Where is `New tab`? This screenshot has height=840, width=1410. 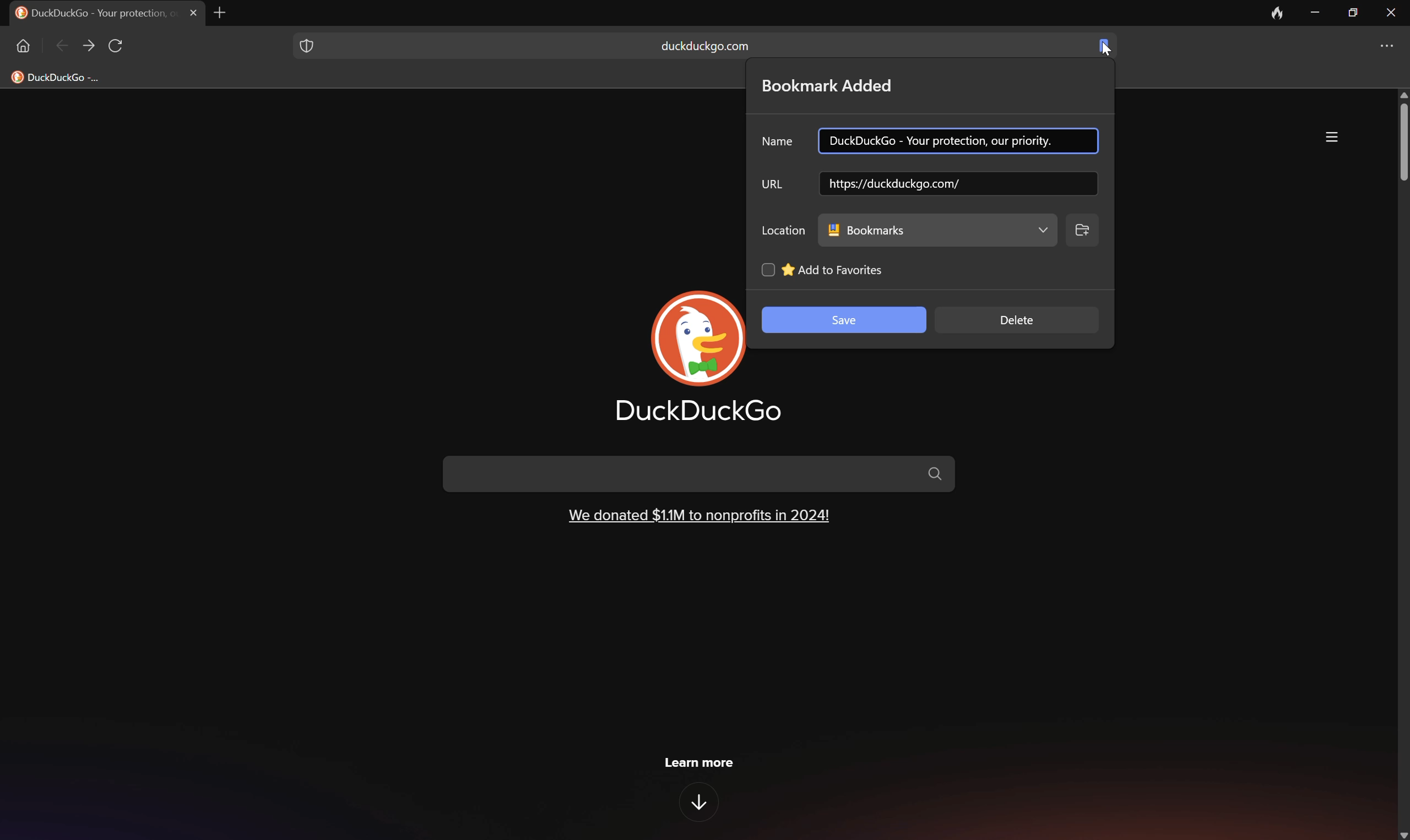
New tab is located at coordinates (225, 12).